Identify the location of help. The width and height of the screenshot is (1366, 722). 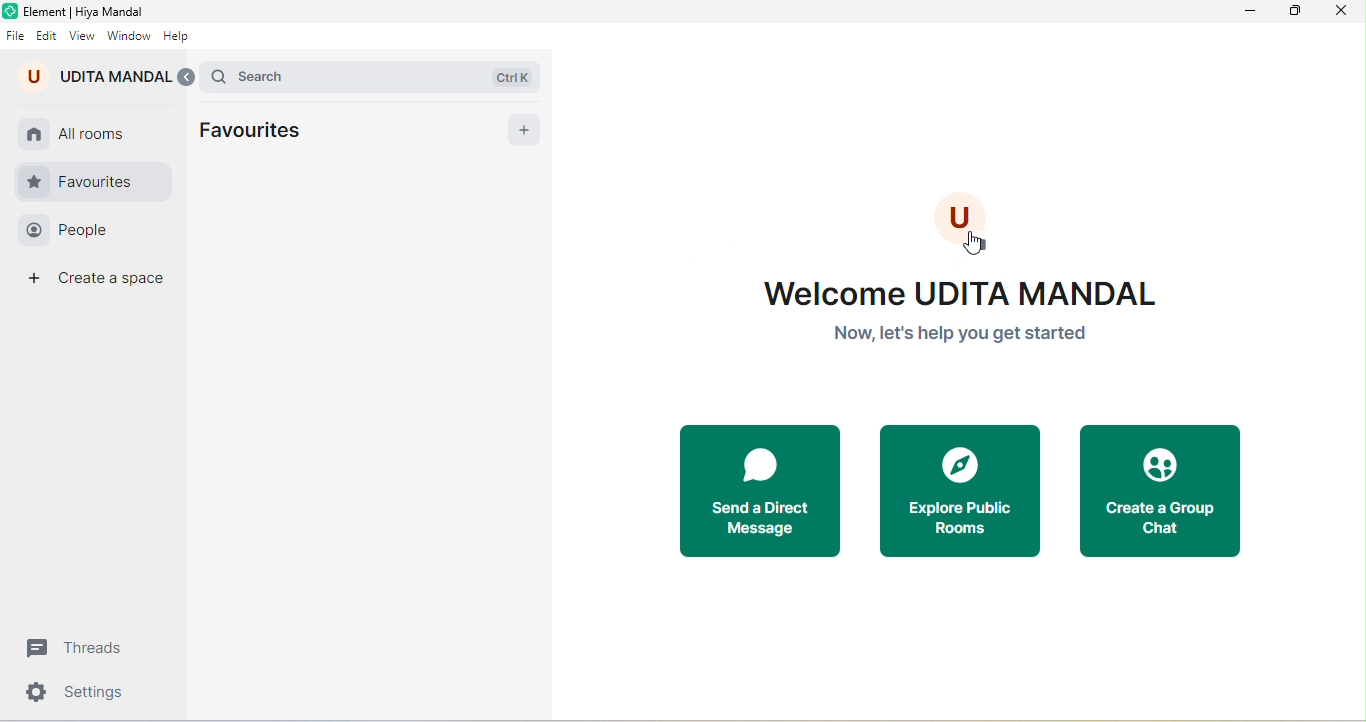
(178, 38).